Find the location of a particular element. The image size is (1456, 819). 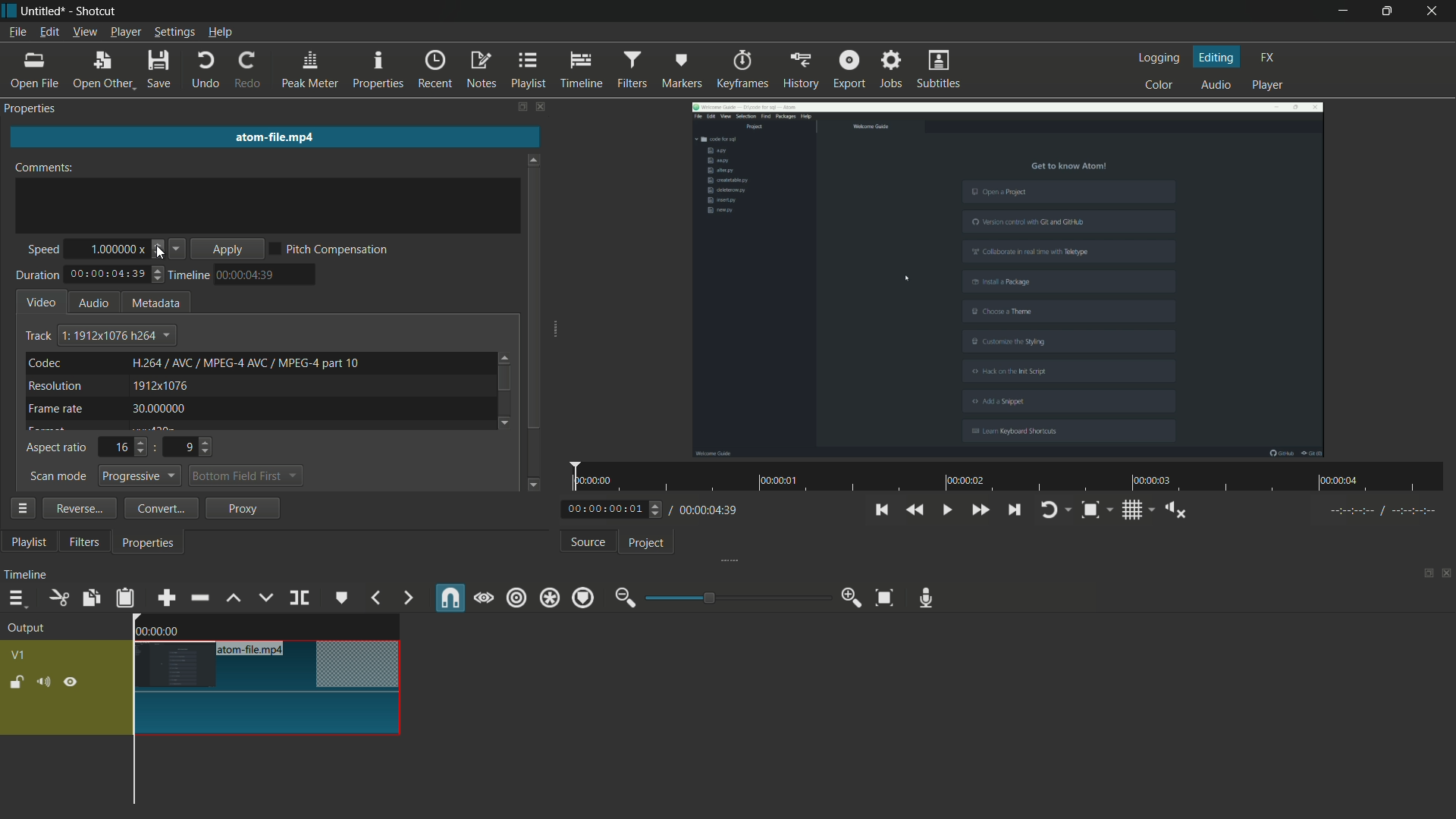

keyframes is located at coordinates (742, 68).